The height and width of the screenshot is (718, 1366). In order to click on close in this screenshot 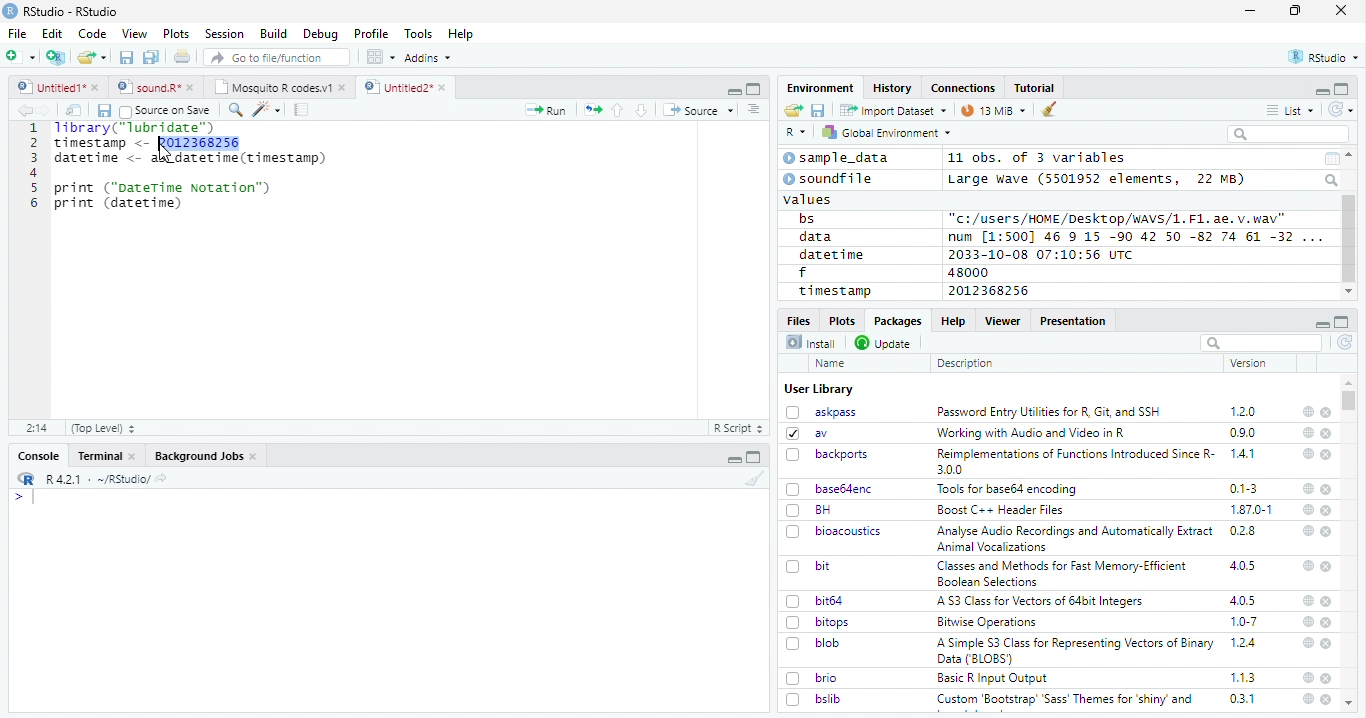, I will do `click(1326, 413)`.